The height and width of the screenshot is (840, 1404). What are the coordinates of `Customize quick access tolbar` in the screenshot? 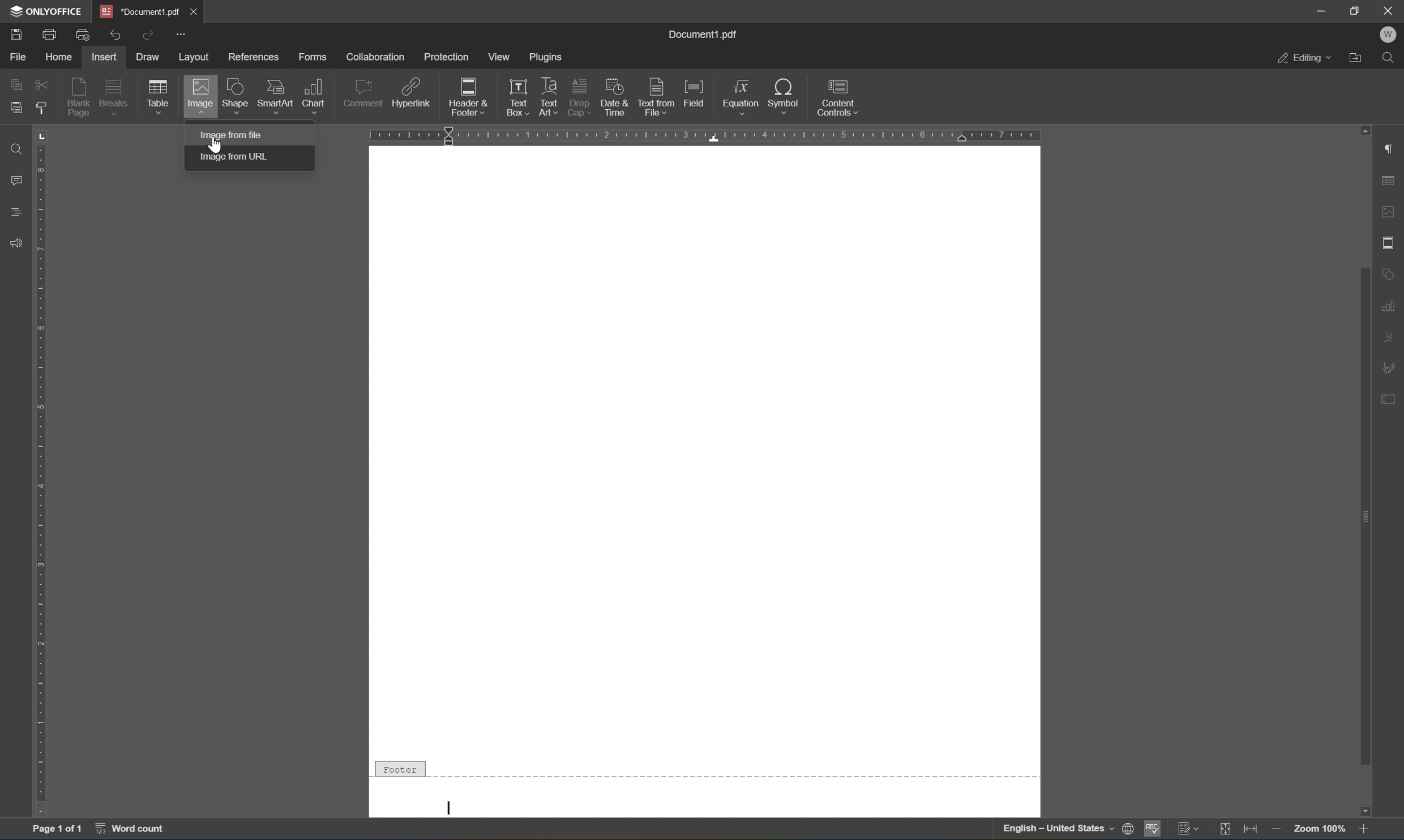 It's located at (182, 36).